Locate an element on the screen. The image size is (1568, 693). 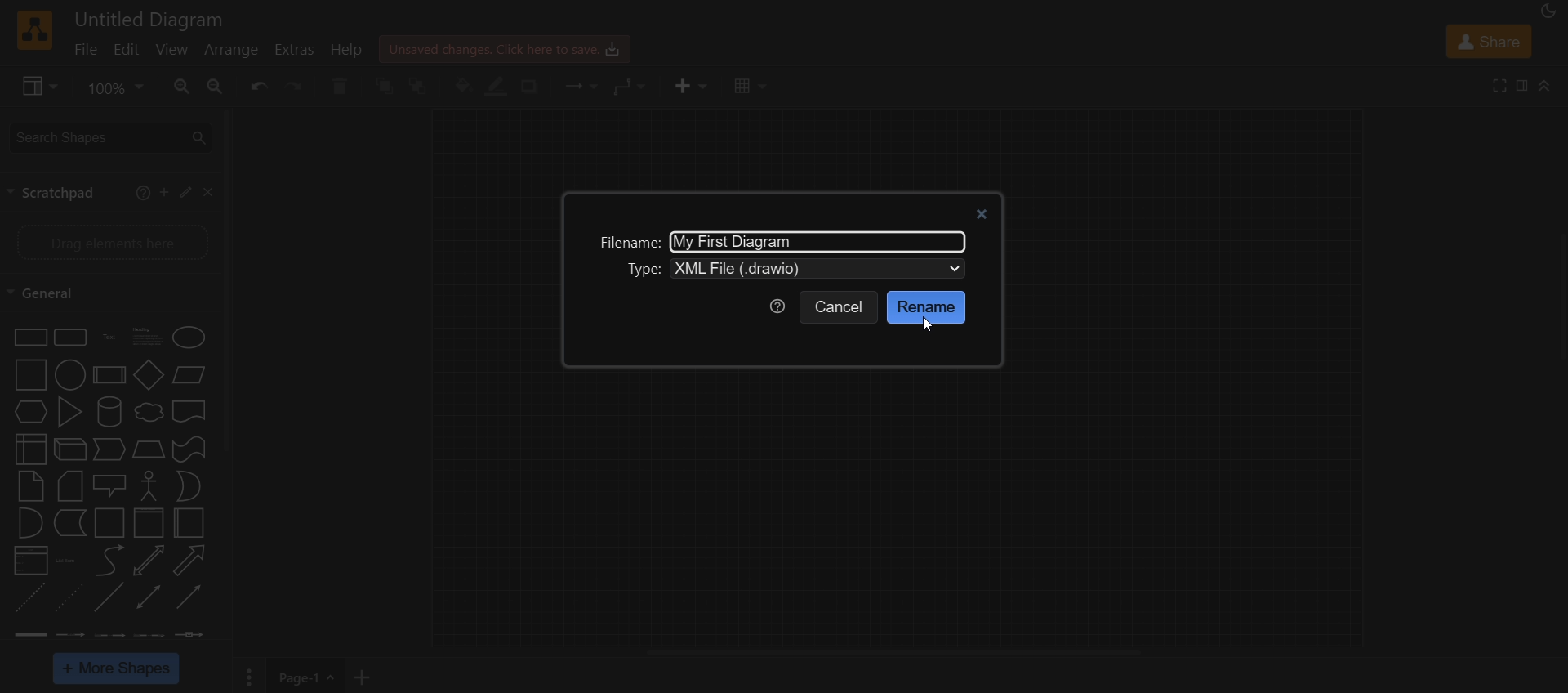
general is located at coordinates (50, 292).